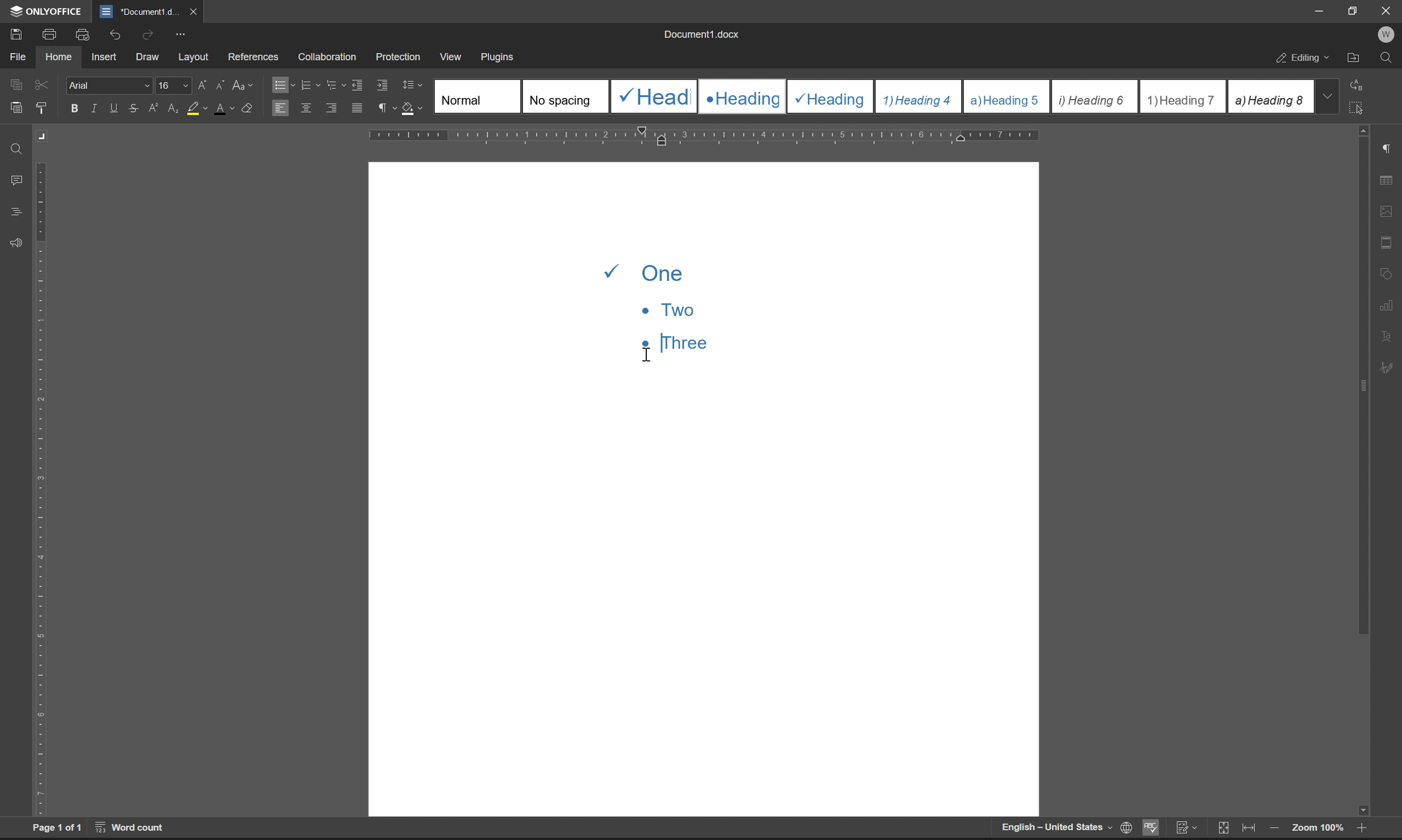 This screenshot has height=840, width=1402. Describe the element at coordinates (171, 84) in the screenshot. I see `font size` at that location.